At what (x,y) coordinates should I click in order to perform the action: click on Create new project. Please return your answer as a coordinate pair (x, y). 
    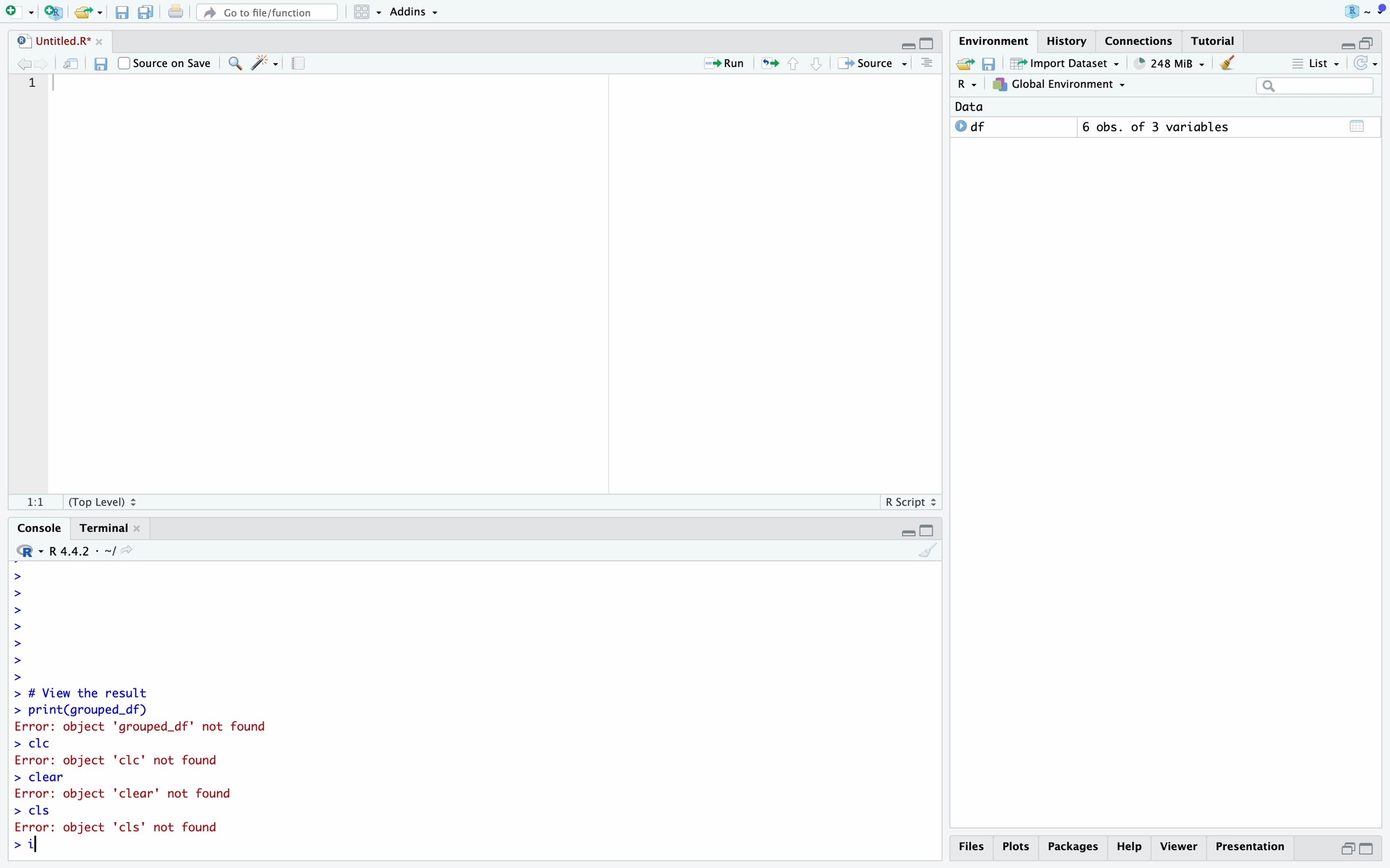
    Looking at the image, I should click on (56, 12).